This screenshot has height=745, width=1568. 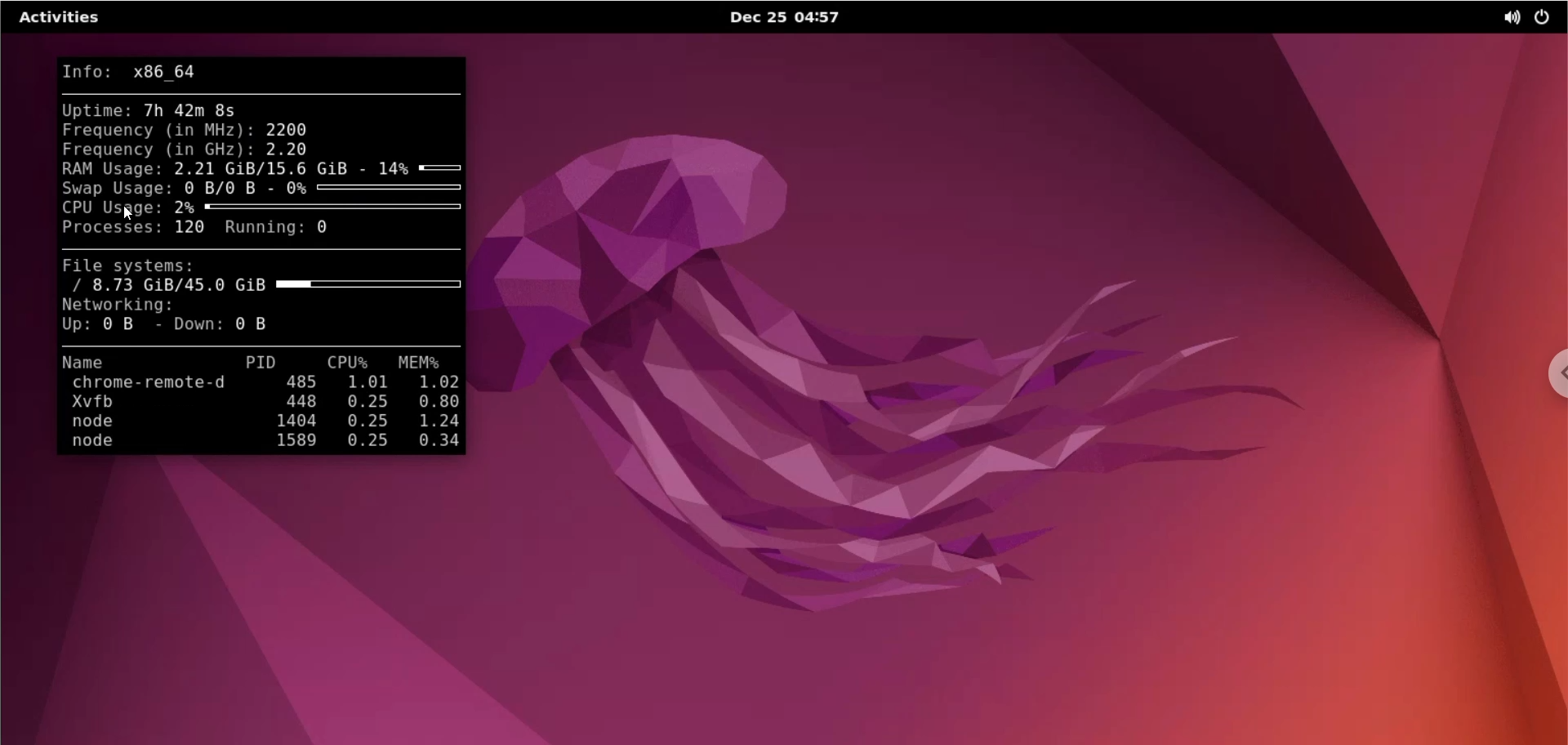 I want to click on RAM usage , so click(x=105, y=167).